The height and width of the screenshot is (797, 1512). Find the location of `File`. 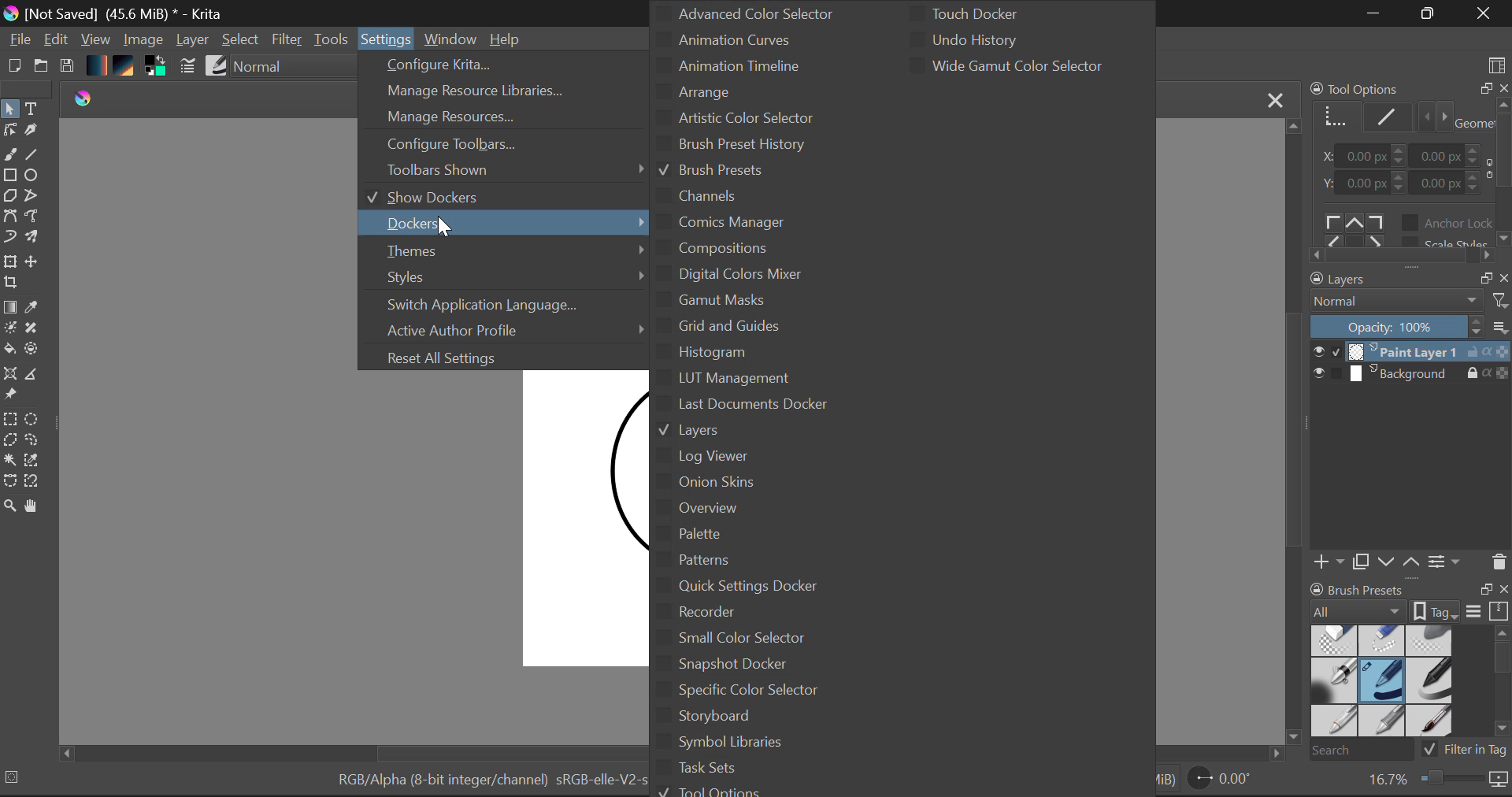

File is located at coordinates (18, 39).